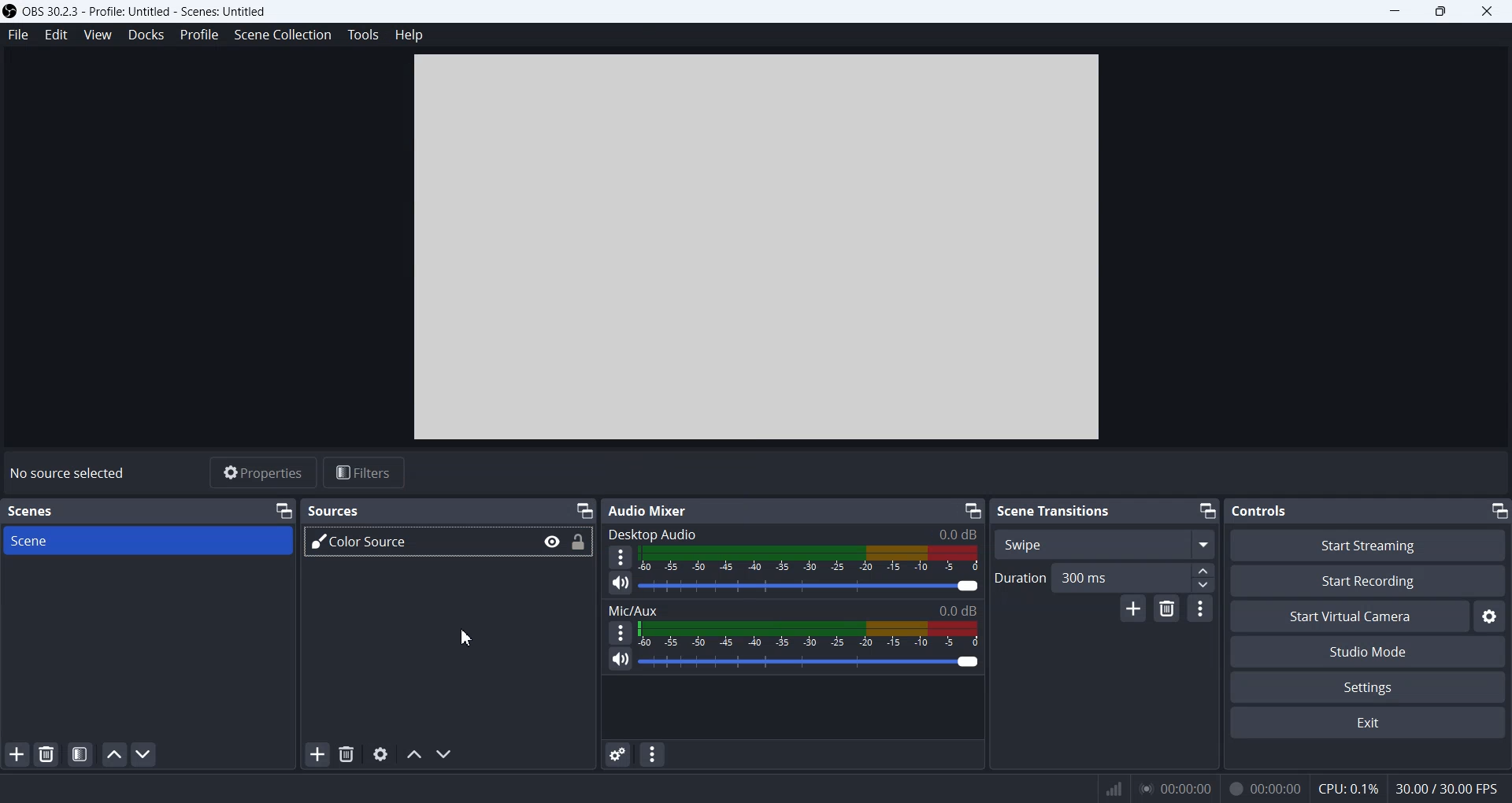 The image size is (1512, 803). What do you see at coordinates (1263, 786) in the screenshot?
I see `00:00:00` at bounding box center [1263, 786].